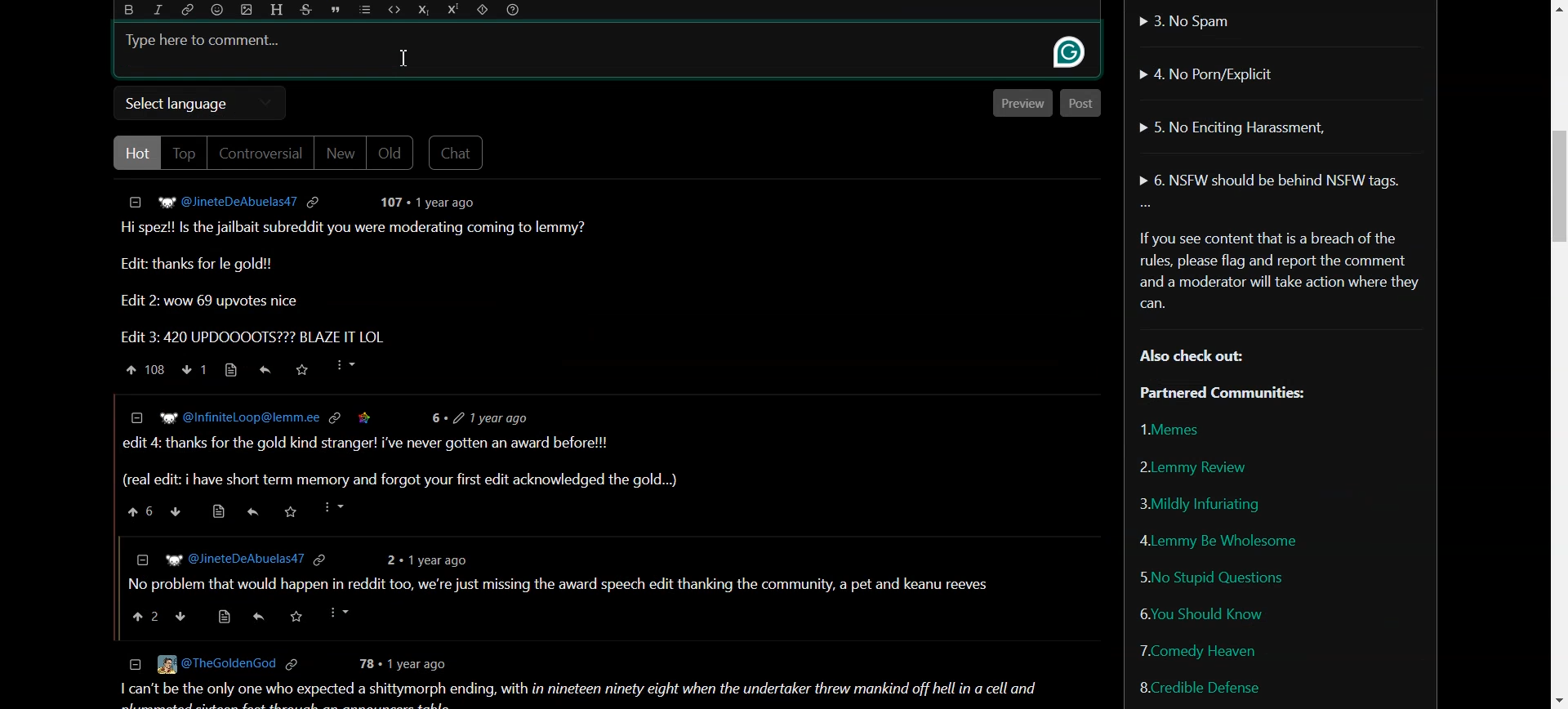 The width and height of the screenshot is (1568, 709). Describe the element at coordinates (364, 11) in the screenshot. I see `List` at that location.